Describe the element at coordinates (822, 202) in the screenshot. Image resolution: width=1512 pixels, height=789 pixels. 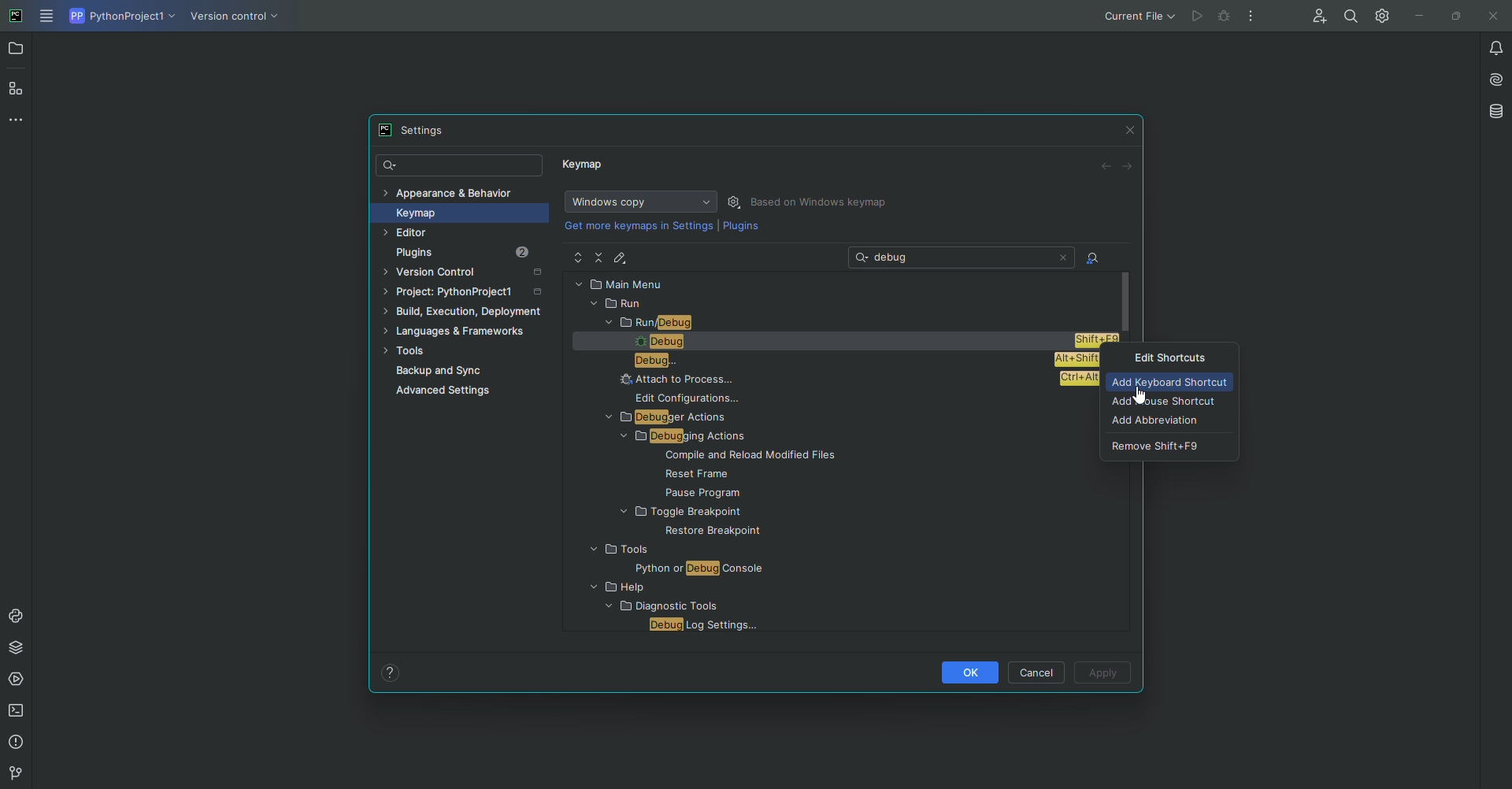
I see `Based on Windows Keymap` at that location.